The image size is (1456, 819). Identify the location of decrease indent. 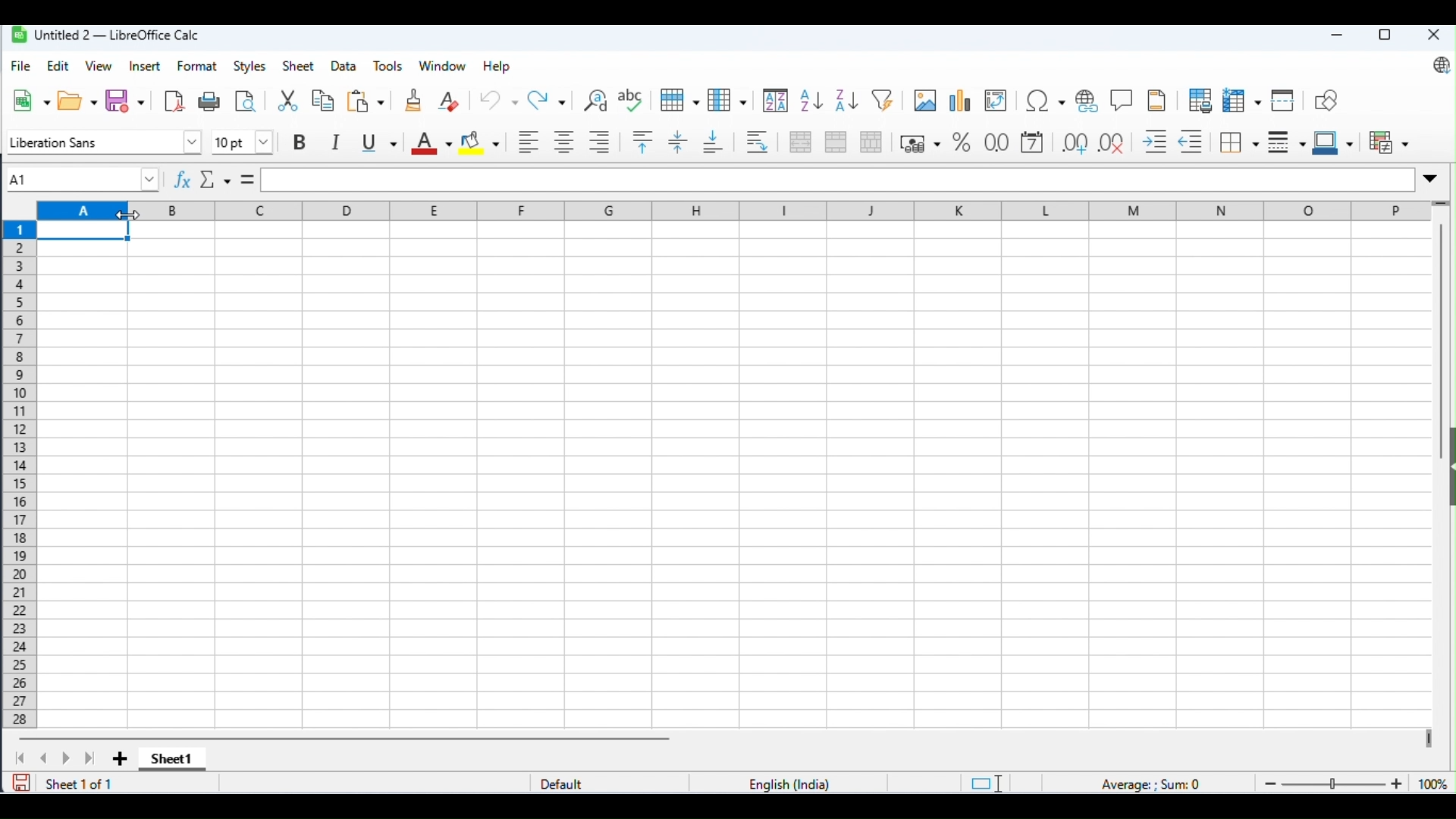
(1195, 142).